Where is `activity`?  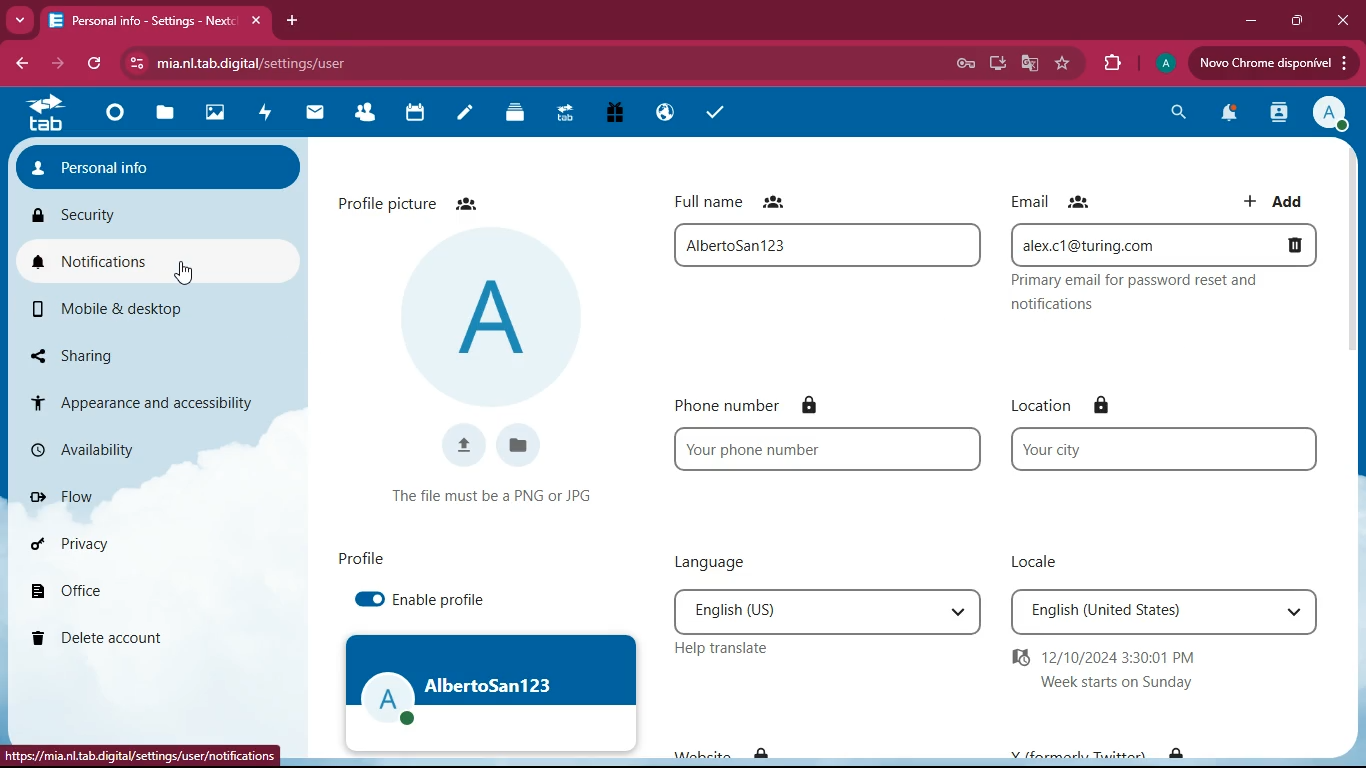
activity is located at coordinates (271, 117).